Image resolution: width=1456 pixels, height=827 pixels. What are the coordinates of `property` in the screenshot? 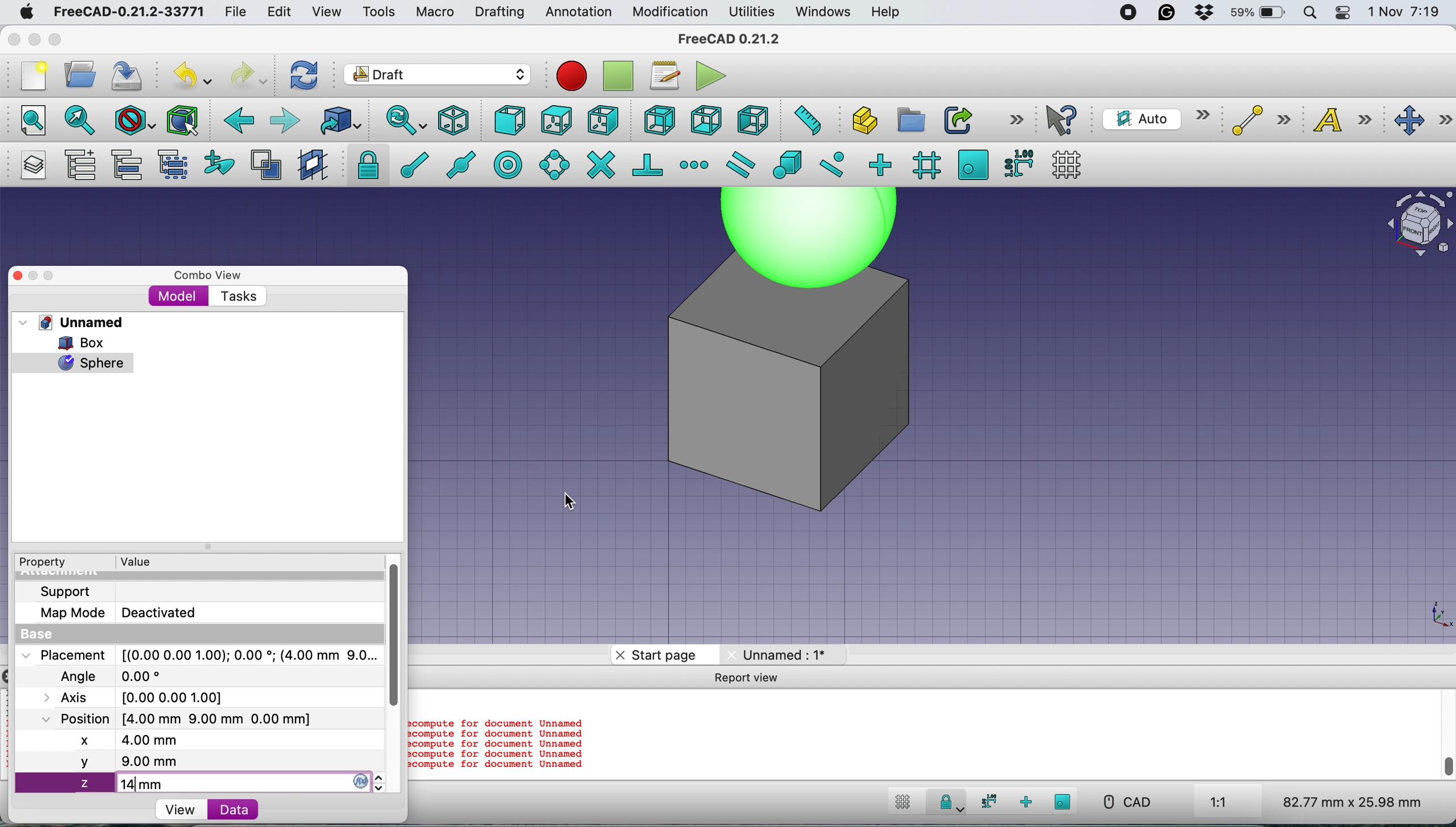 It's located at (51, 562).